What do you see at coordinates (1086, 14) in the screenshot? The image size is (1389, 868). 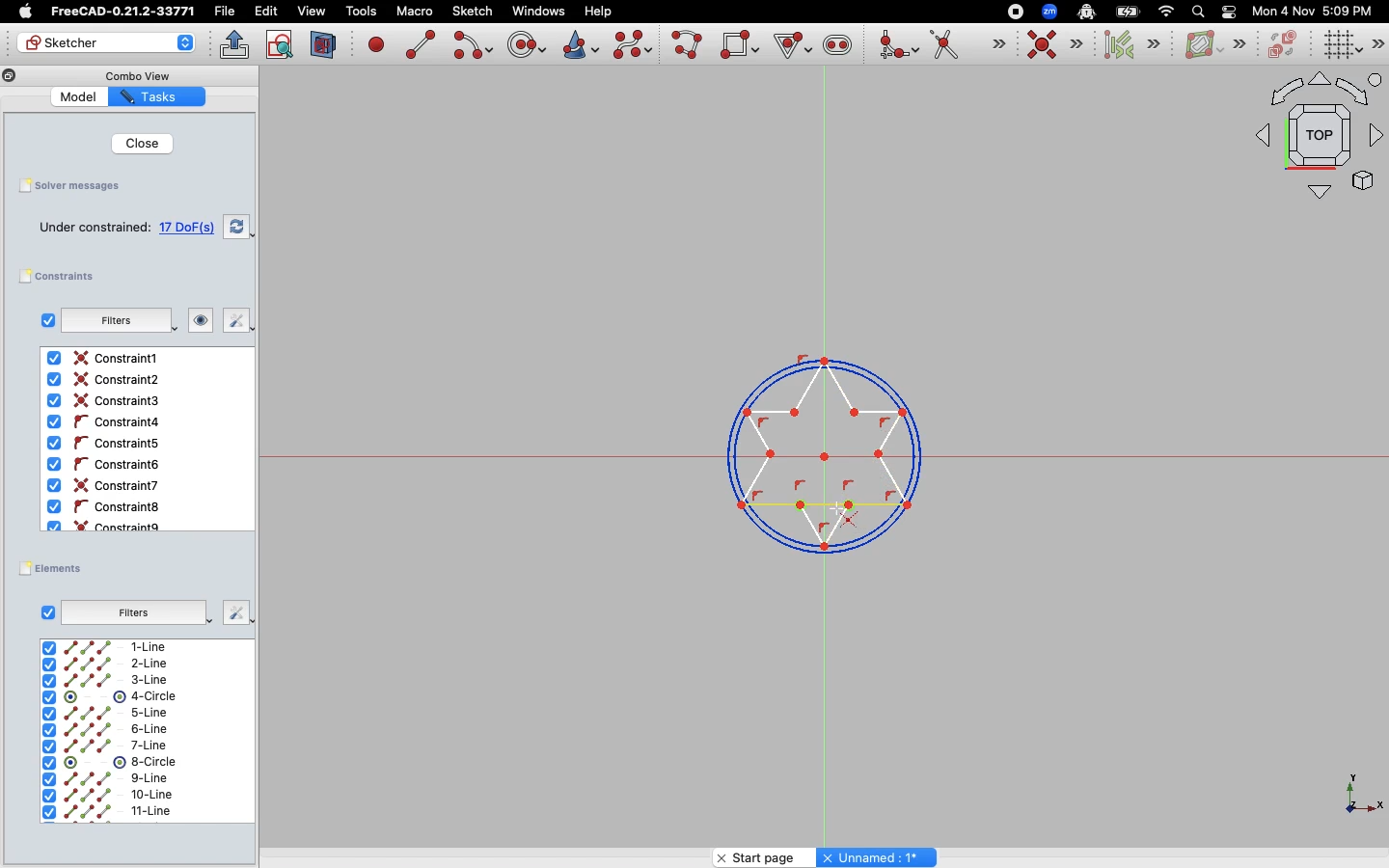 I see `Robot` at bounding box center [1086, 14].